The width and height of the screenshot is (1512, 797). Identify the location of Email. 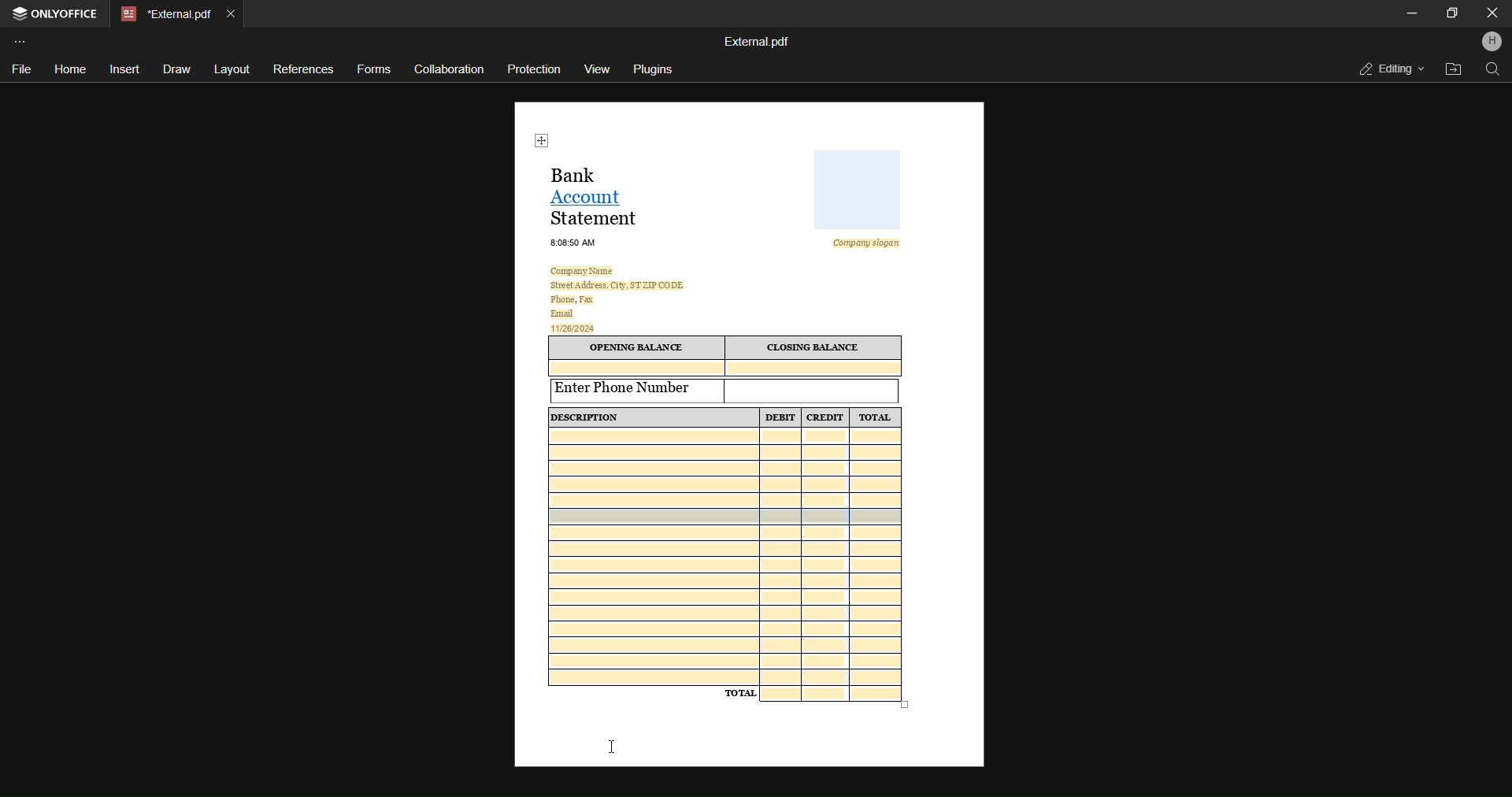
(562, 313).